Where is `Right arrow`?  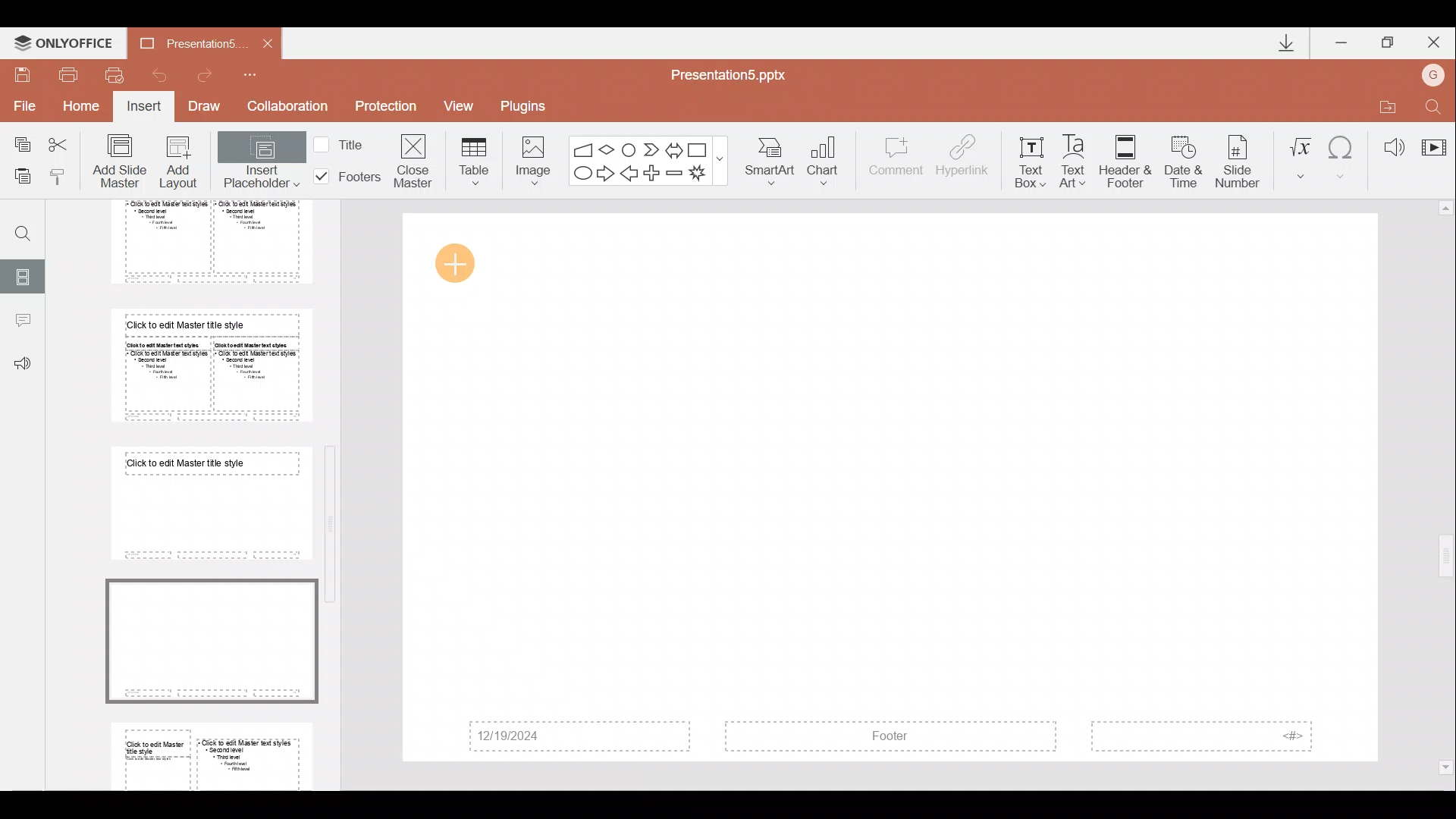
Right arrow is located at coordinates (605, 174).